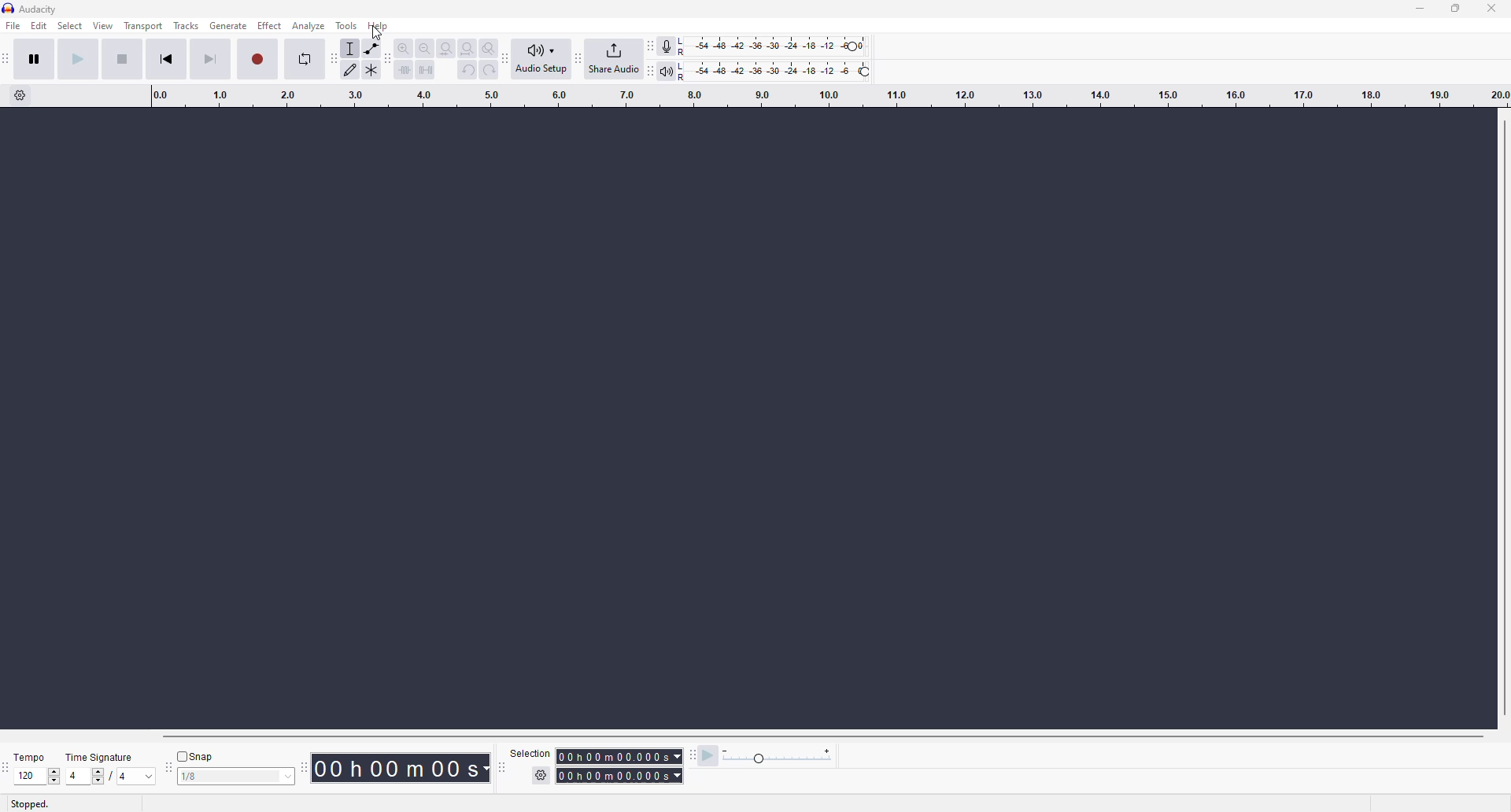  Describe the element at coordinates (102, 27) in the screenshot. I see `view` at that location.